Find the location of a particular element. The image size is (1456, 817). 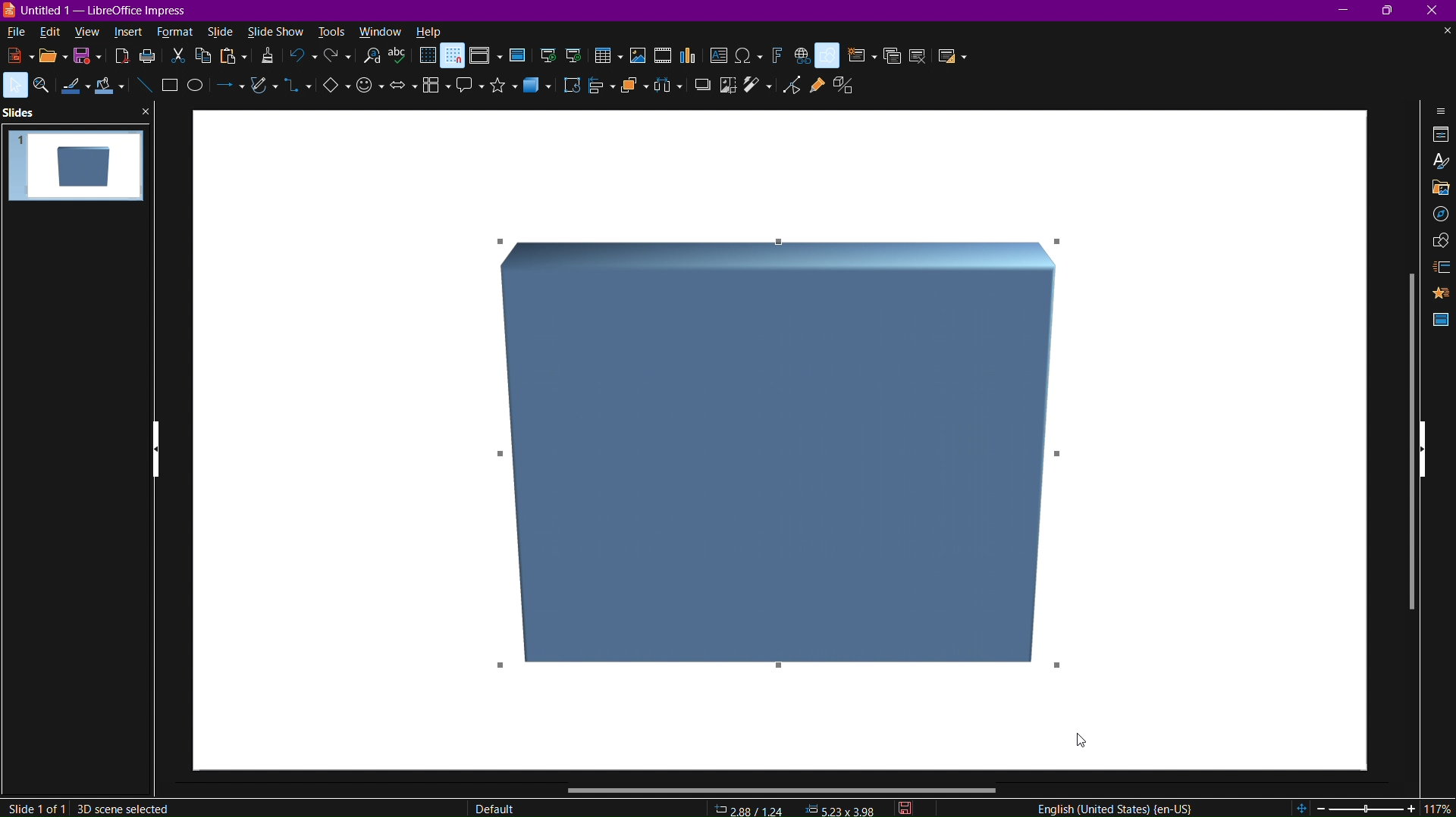

Callout Shapes is located at coordinates (466, 90).